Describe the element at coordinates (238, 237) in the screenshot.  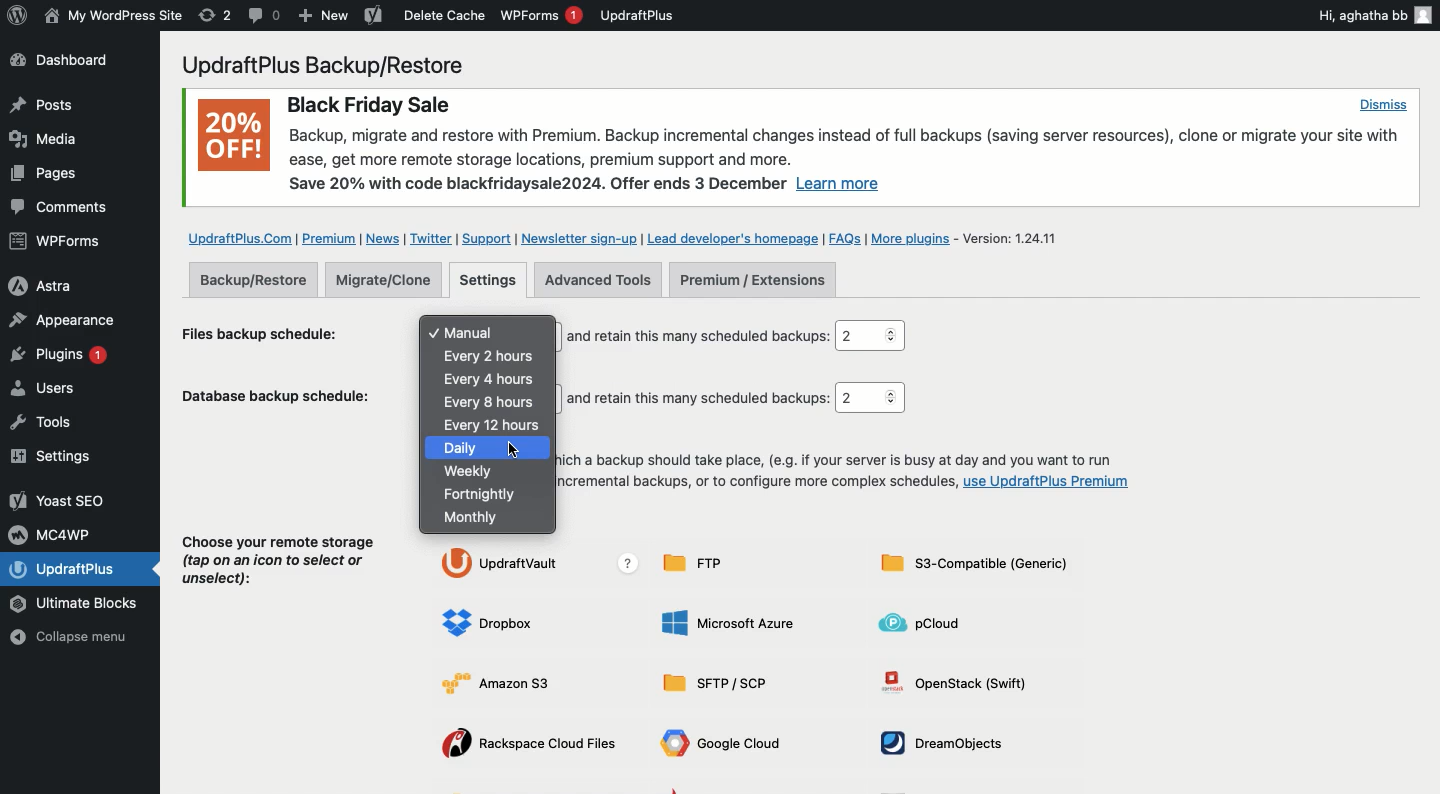
I see `UpdraftPlus.com` at that location.